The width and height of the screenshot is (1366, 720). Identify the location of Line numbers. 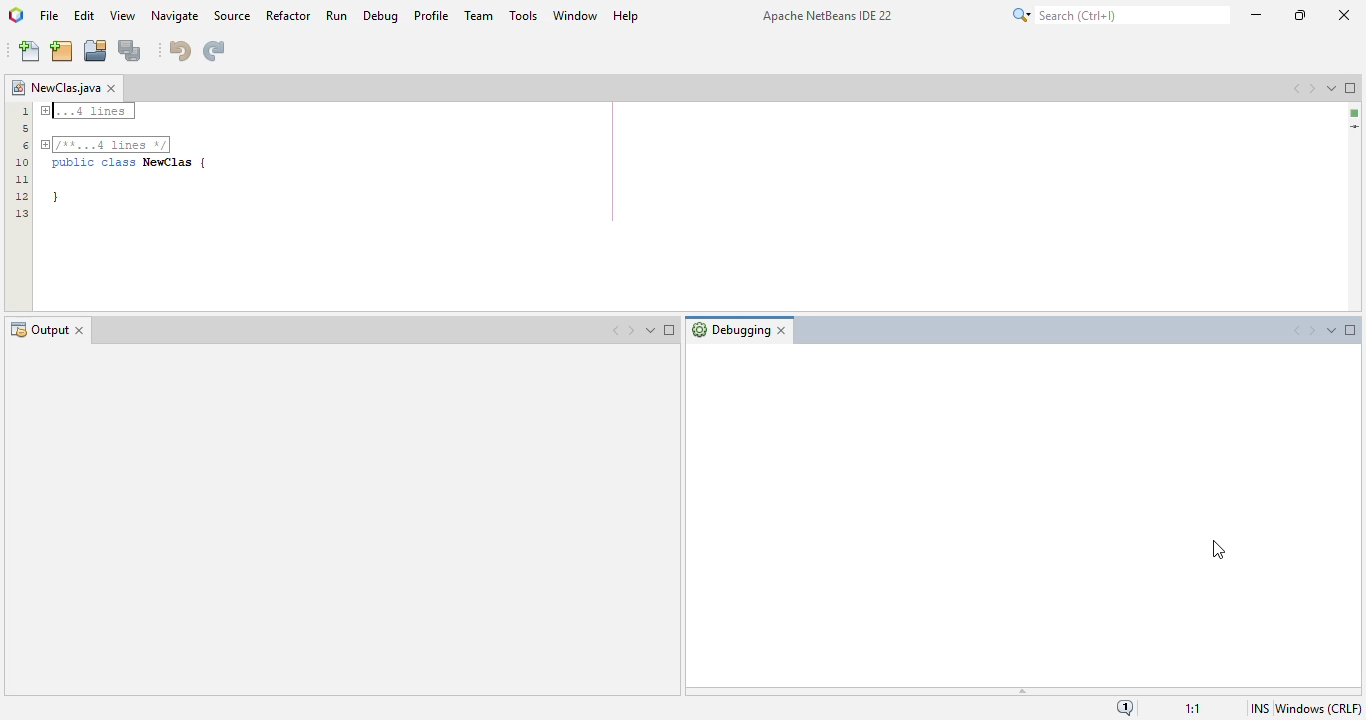
(16, 159).